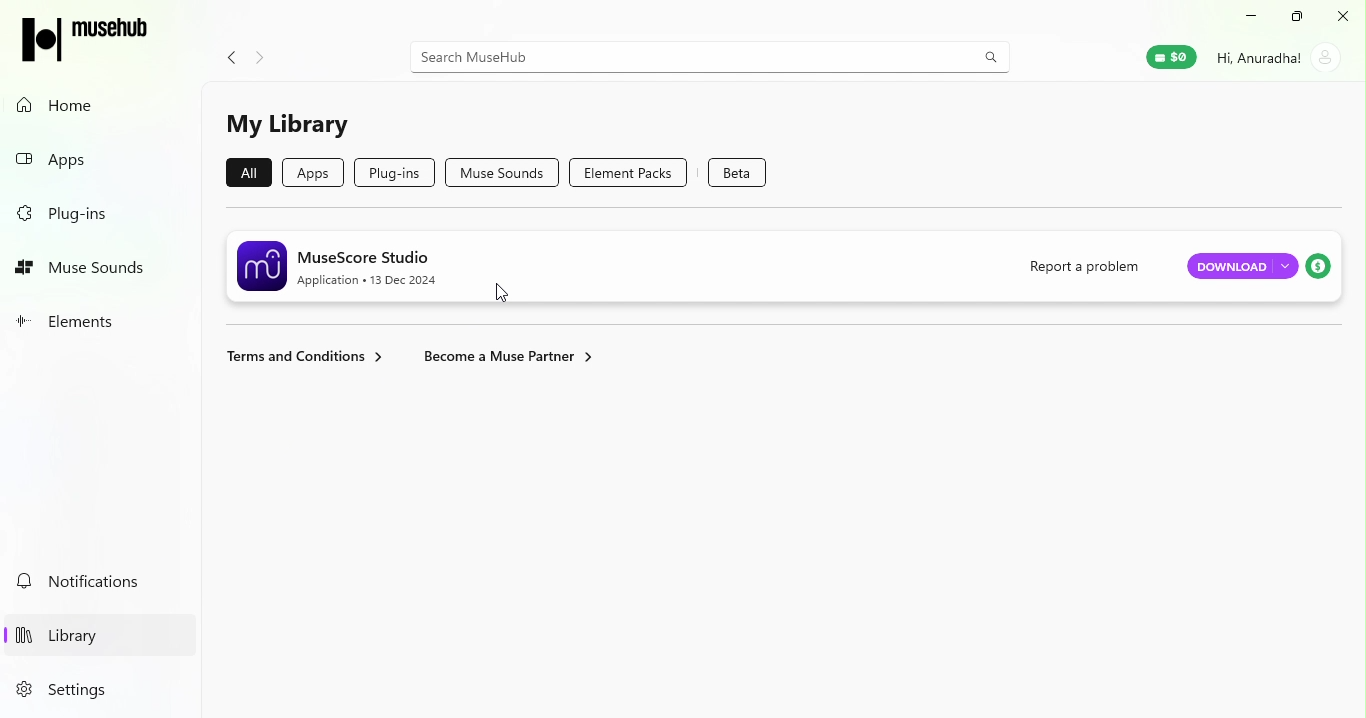 The width and height of the screenshot is (1366, 718). Describe the element at coordinates (1343, 14) in the screenshot. I see `Close` at that location.